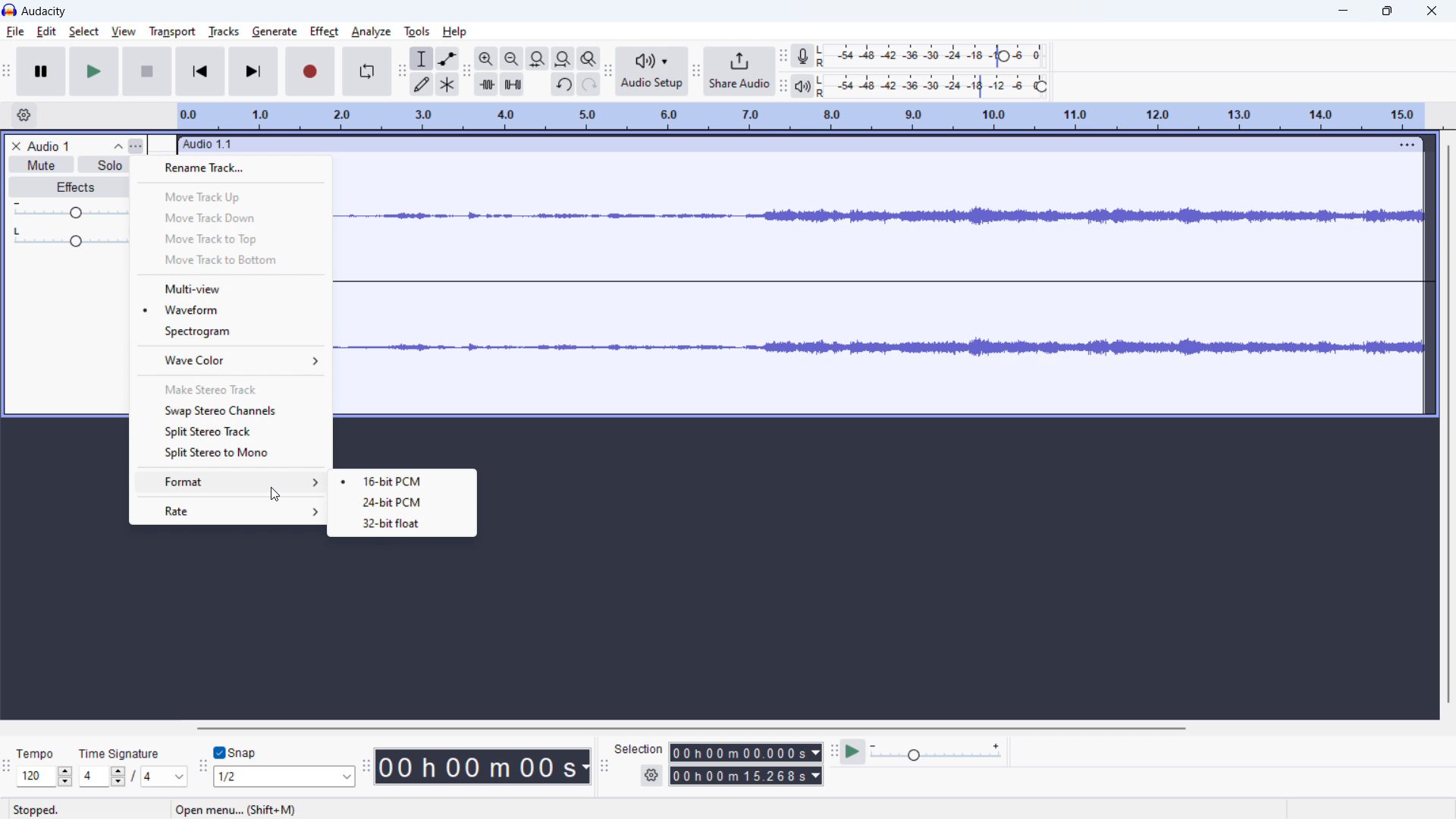  Describe the element at coordinates (563, 58) in the screenshot. I see `fit project to width` at that location.